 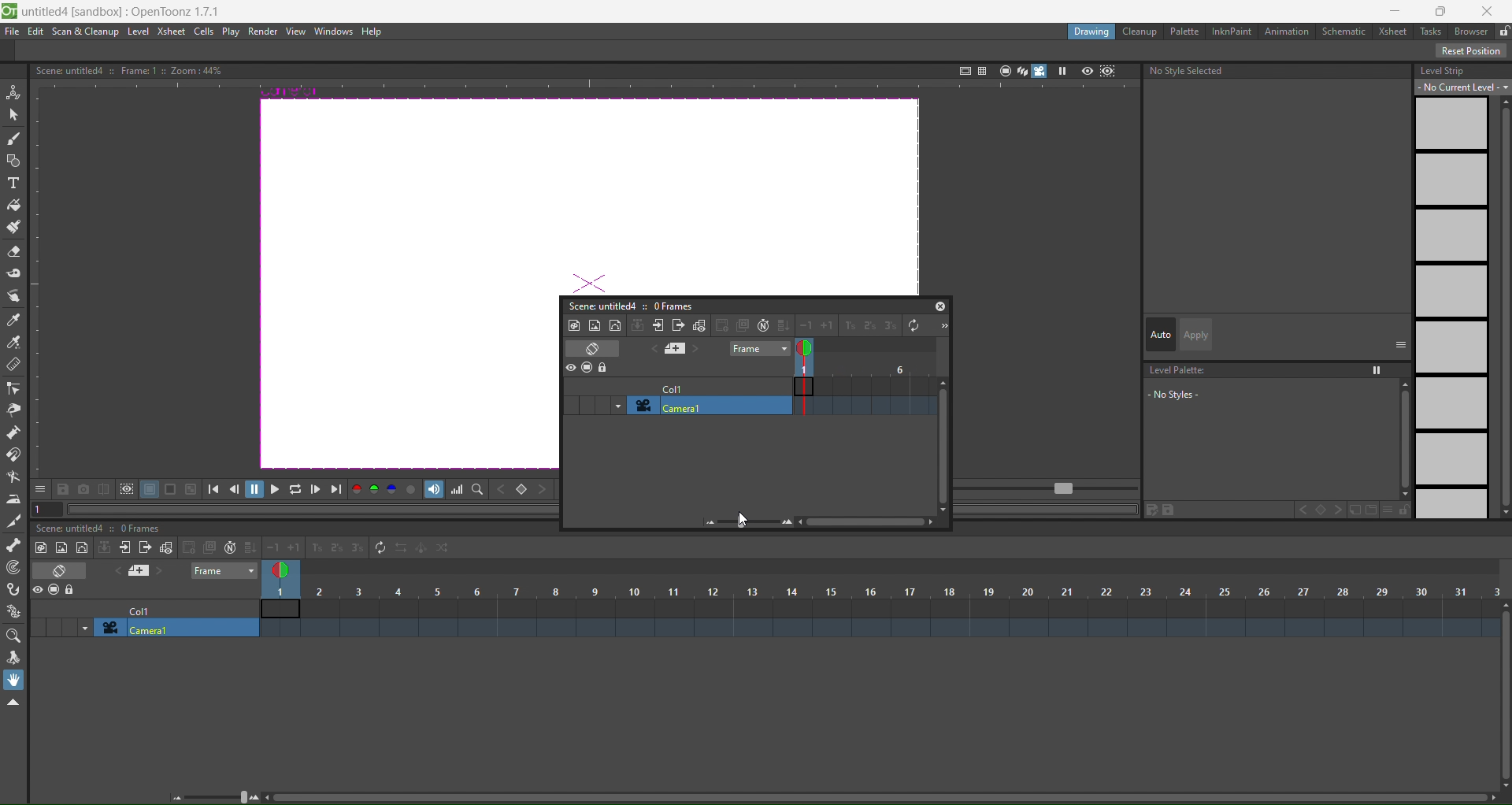 I want to click on fill in empty cells, so click(x=249, y=547).